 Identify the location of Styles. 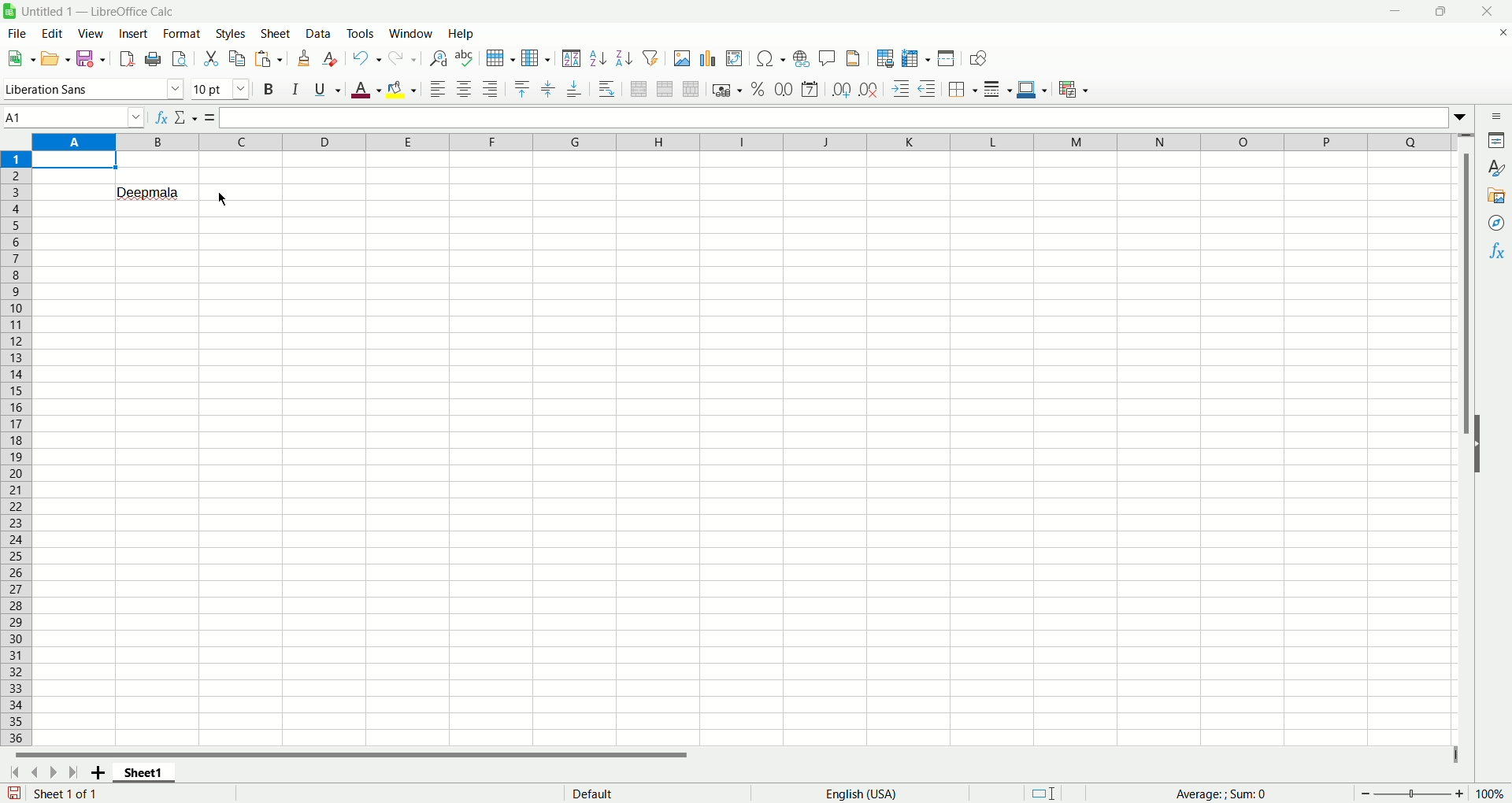
(231, 34).